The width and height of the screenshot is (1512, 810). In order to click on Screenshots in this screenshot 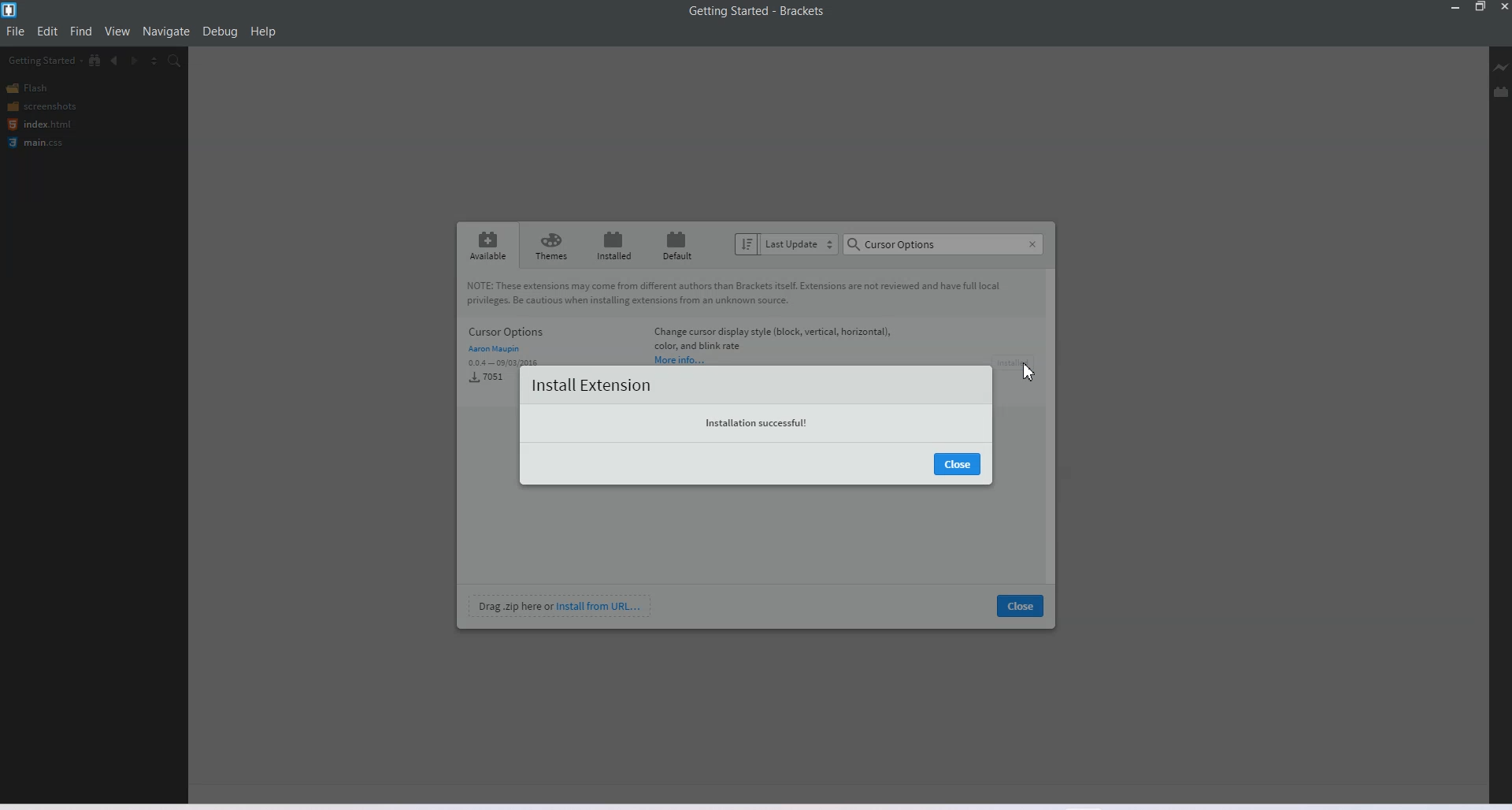, I will do `click(41, 106)`.